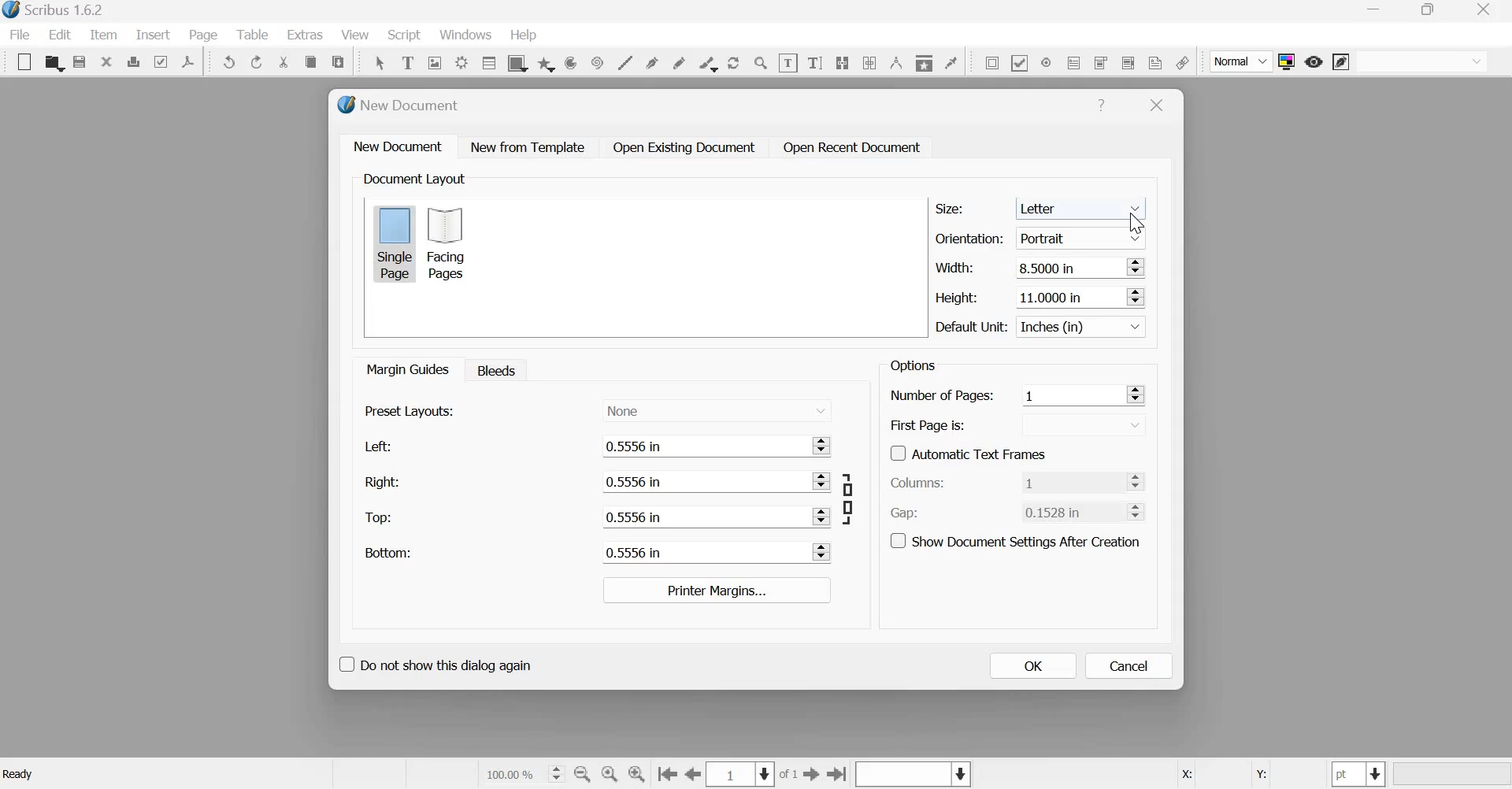 The image size is (1512, 789). I want to click on shape, so click(516, 62).